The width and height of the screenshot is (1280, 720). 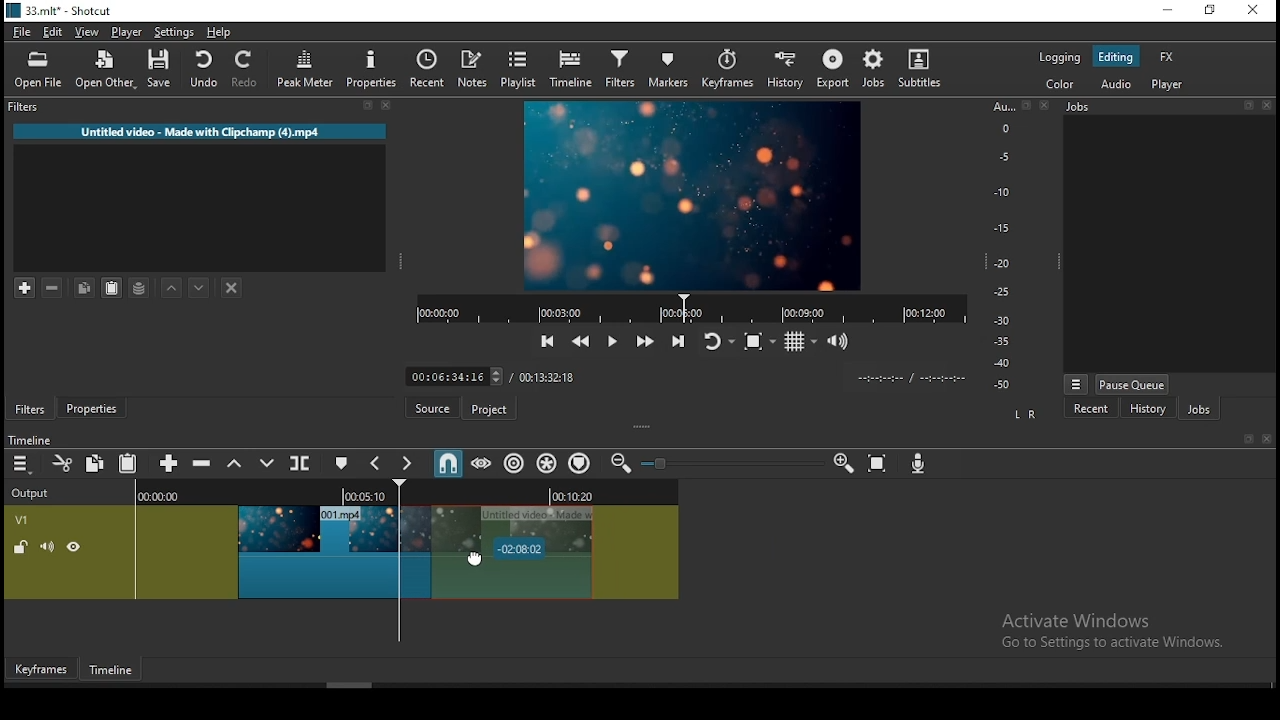 I want to click on Project, so click(x=492, y=409).